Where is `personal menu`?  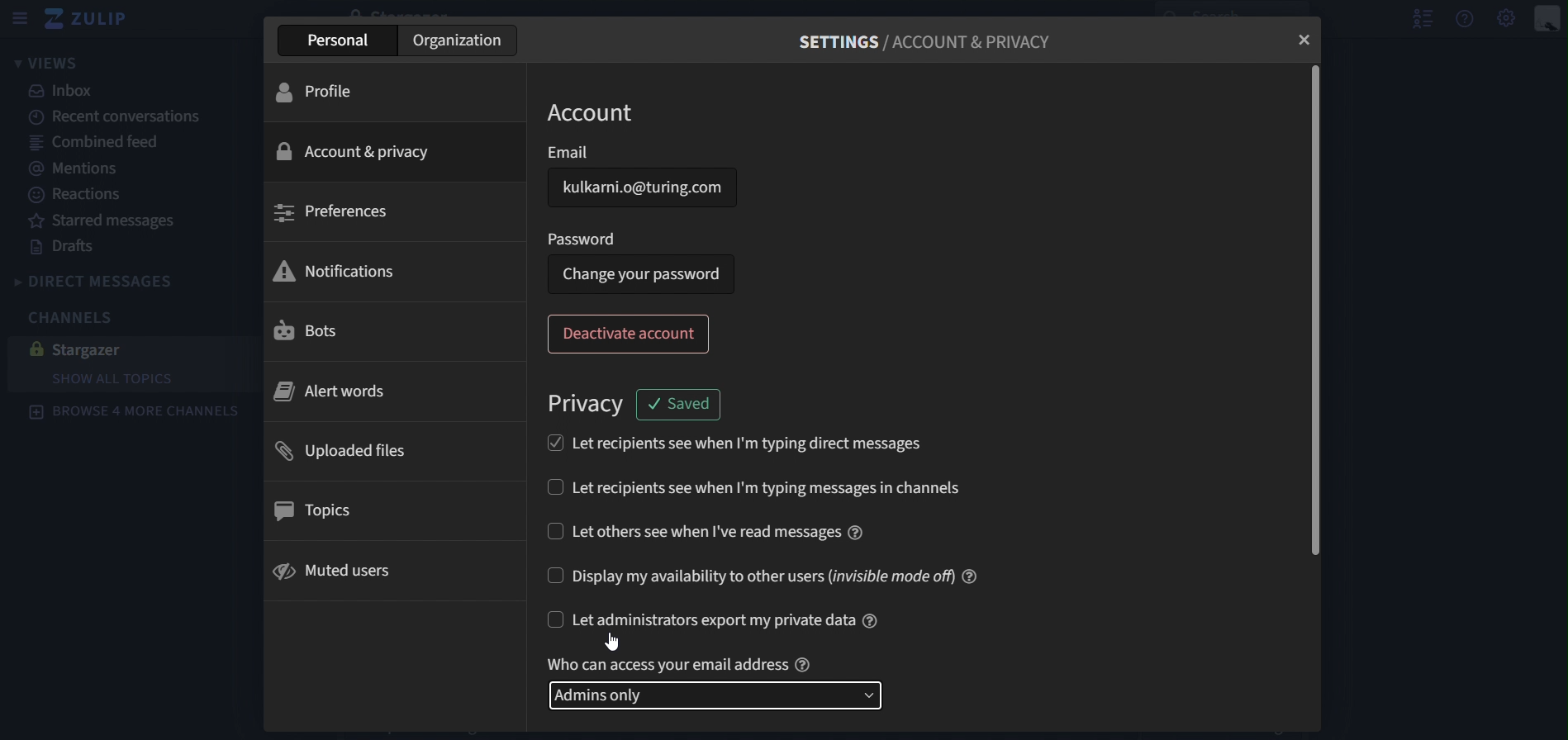 personal menu is located at coordinates (1547, 21).